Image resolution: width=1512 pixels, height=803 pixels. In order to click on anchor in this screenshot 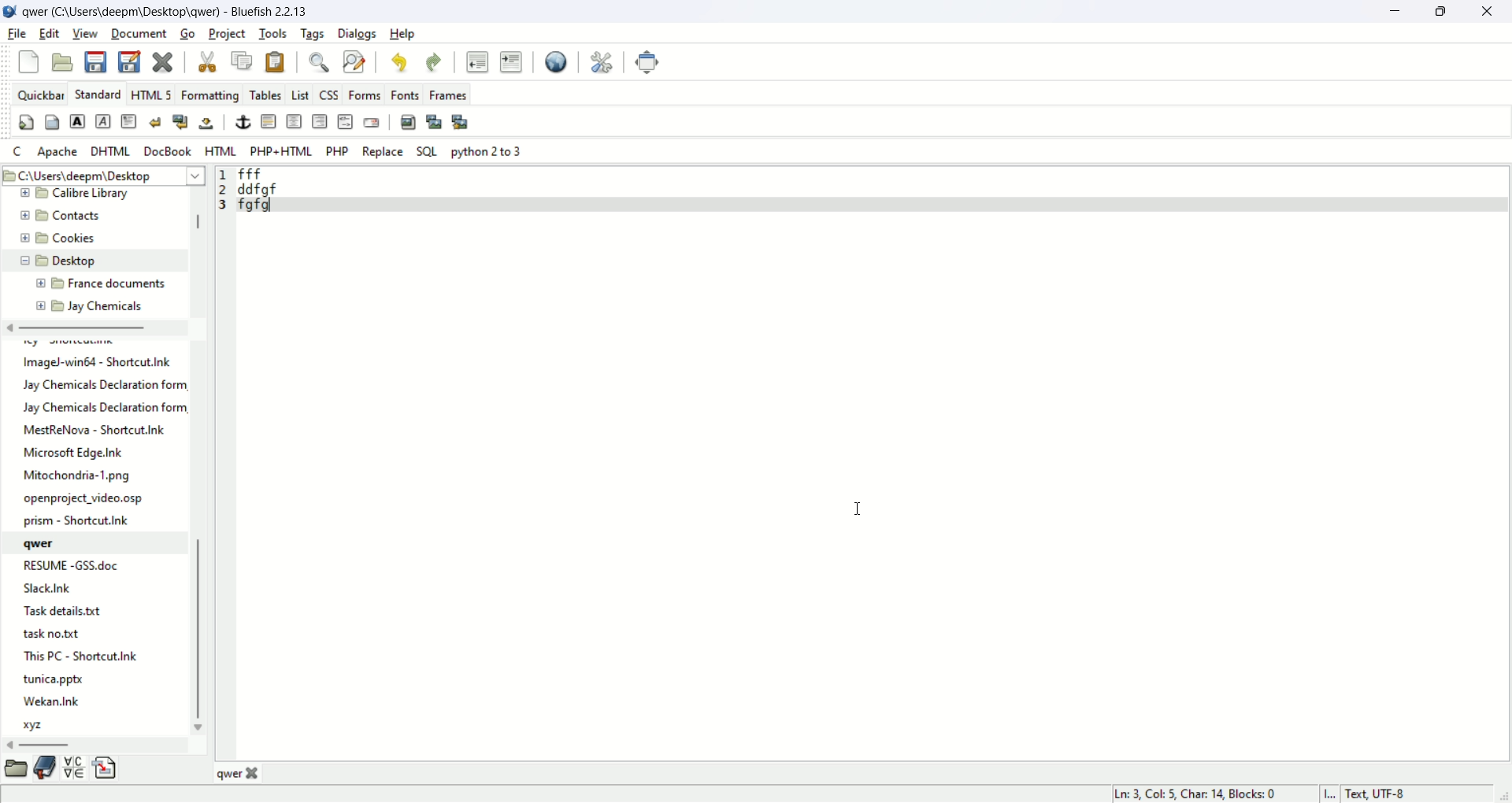, I will do `click(240, 124)`.